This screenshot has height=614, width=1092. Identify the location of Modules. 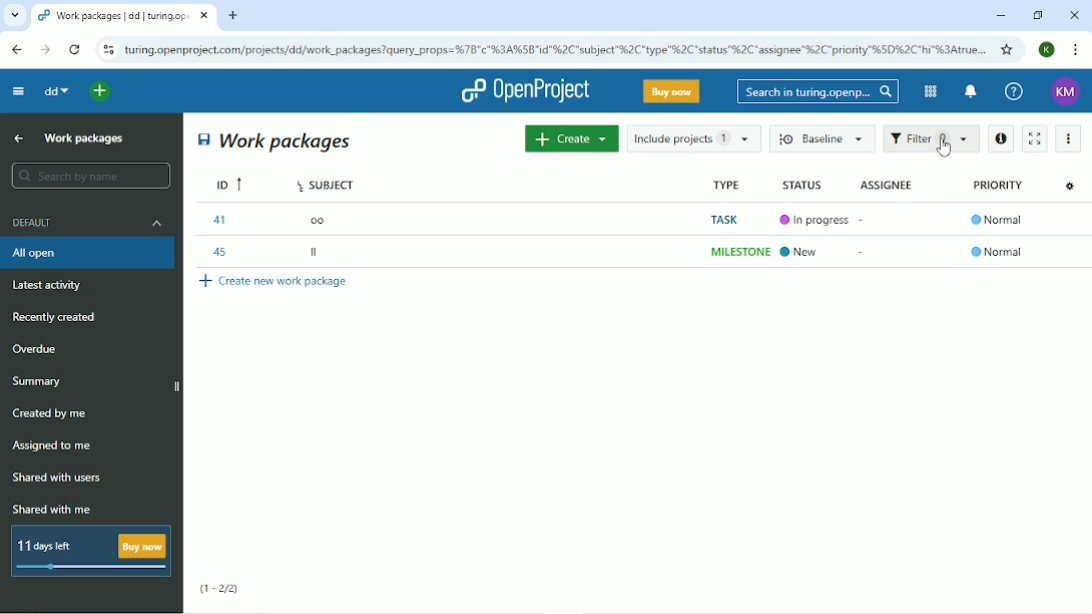
(928, 91).